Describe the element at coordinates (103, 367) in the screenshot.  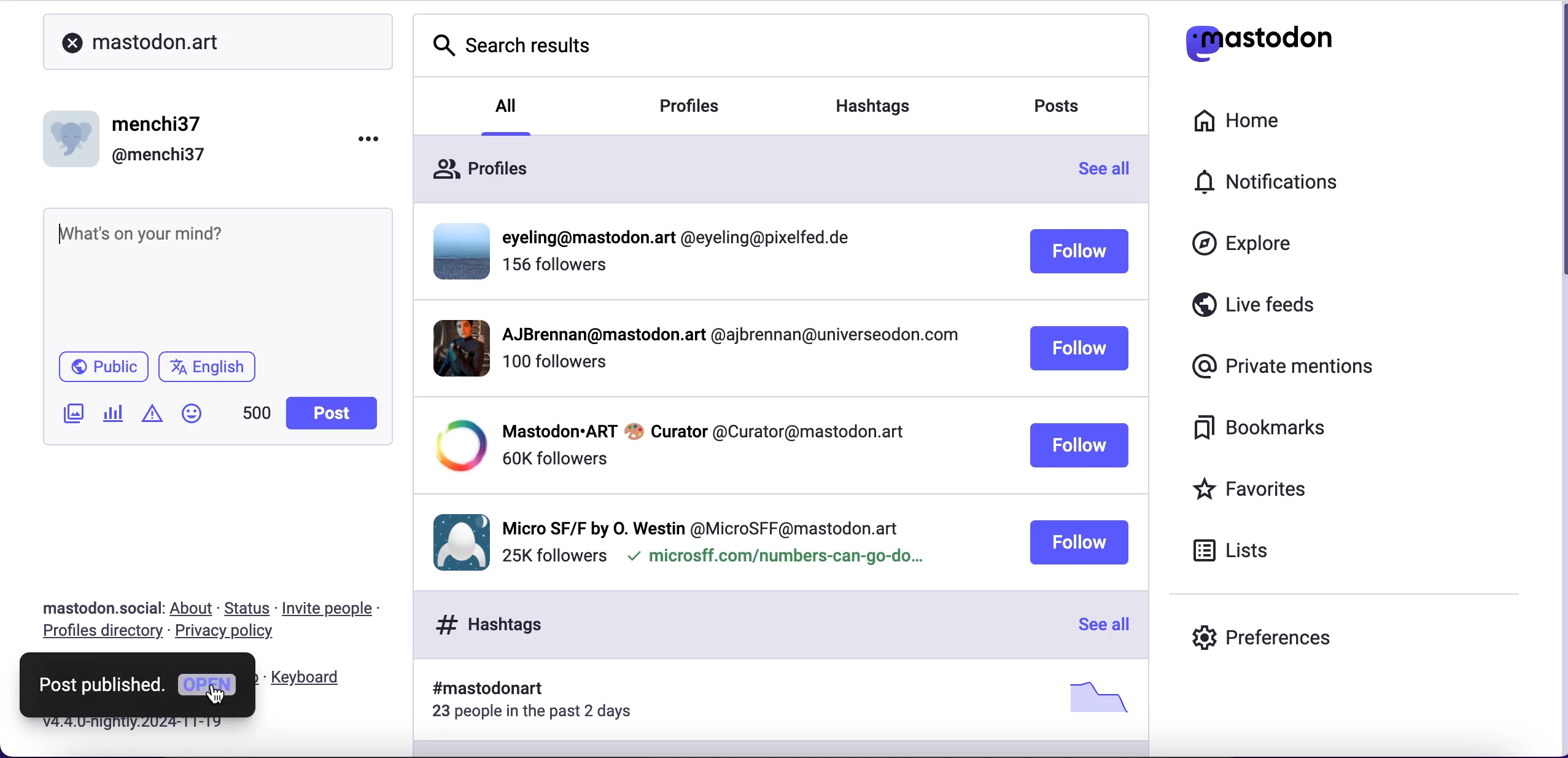
I see `public` at that location.